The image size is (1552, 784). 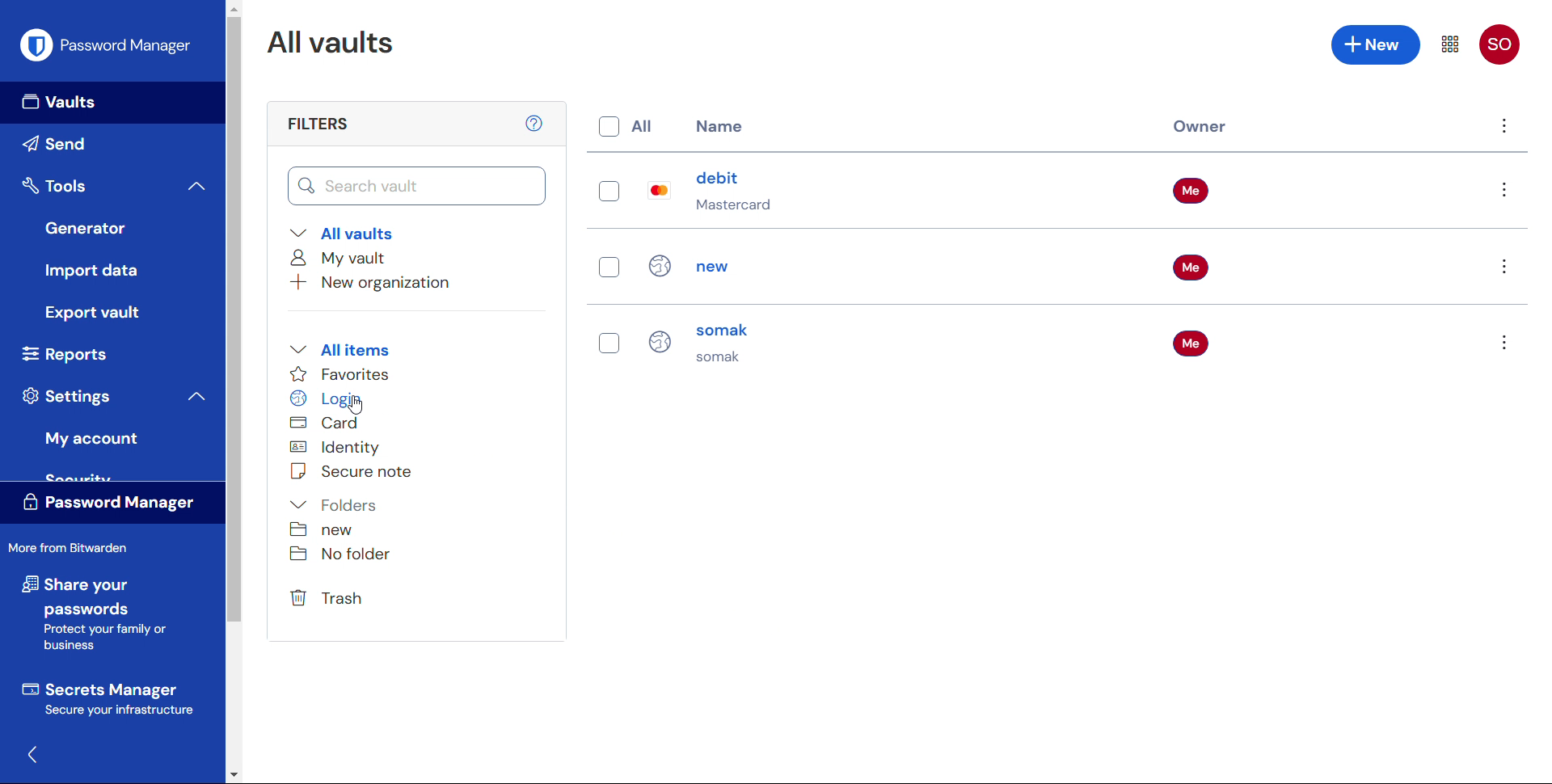 I want to click on Tools , so click(x=89, y=185).